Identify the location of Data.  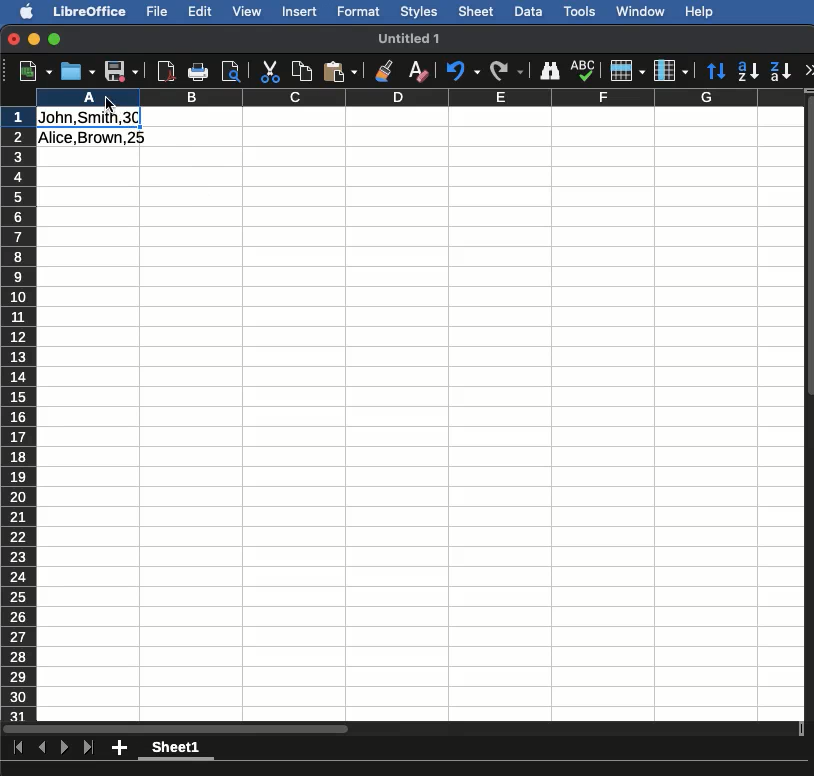
(530, 11).